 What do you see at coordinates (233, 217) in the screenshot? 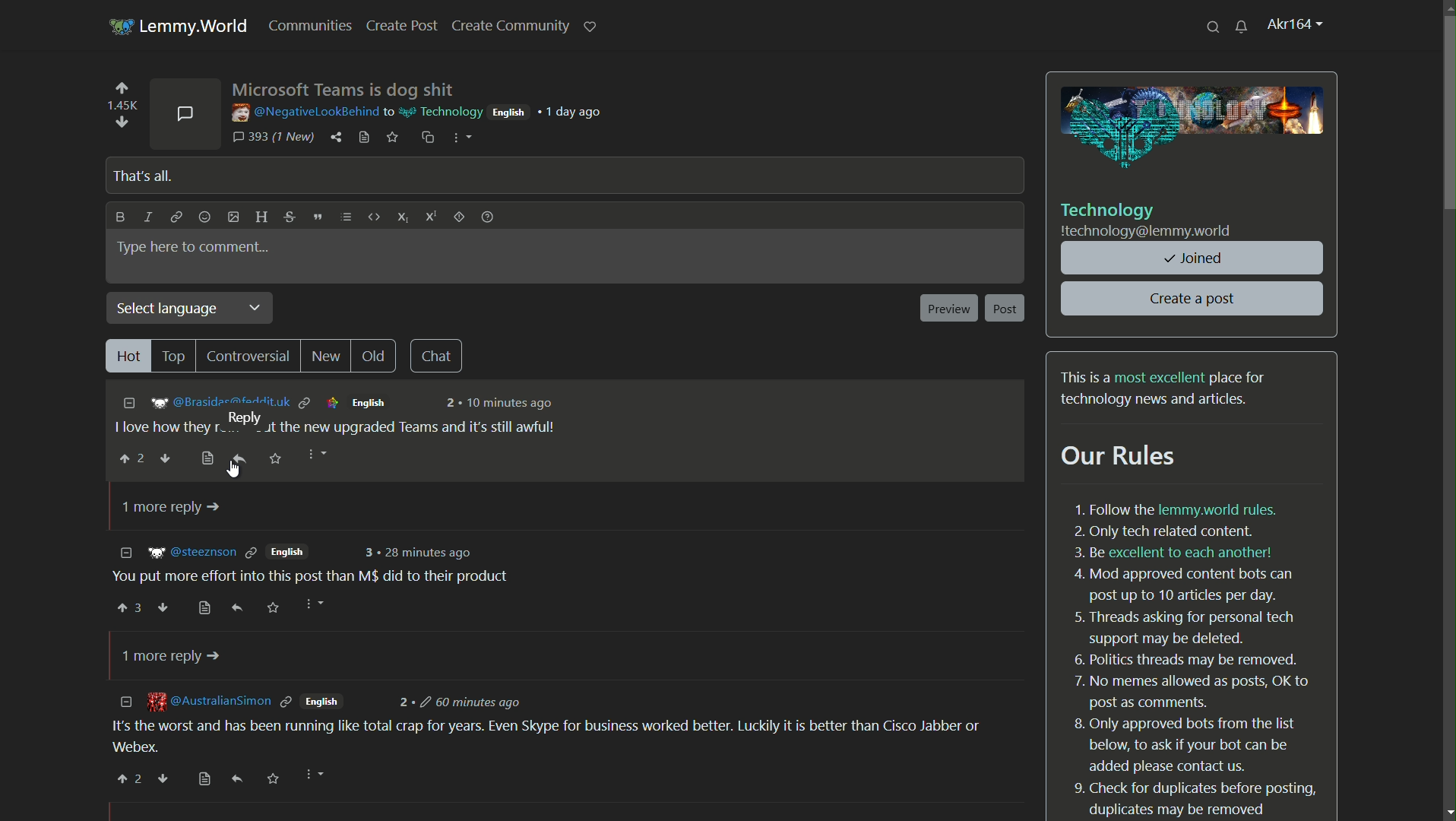
I see `add image` at bounding box center [233, 217].